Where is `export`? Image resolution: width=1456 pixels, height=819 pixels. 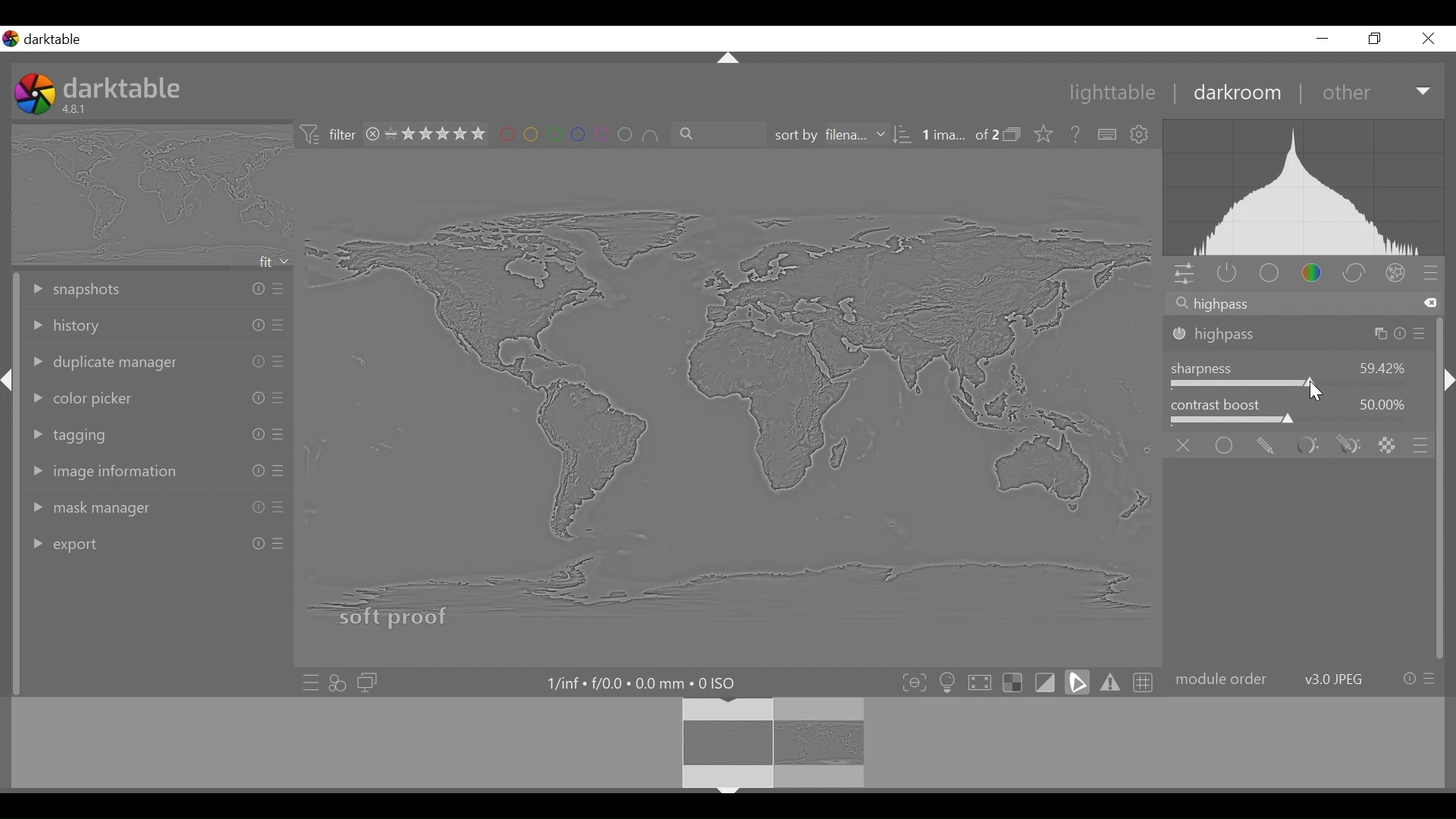
export is located at coordinates (155, 541).